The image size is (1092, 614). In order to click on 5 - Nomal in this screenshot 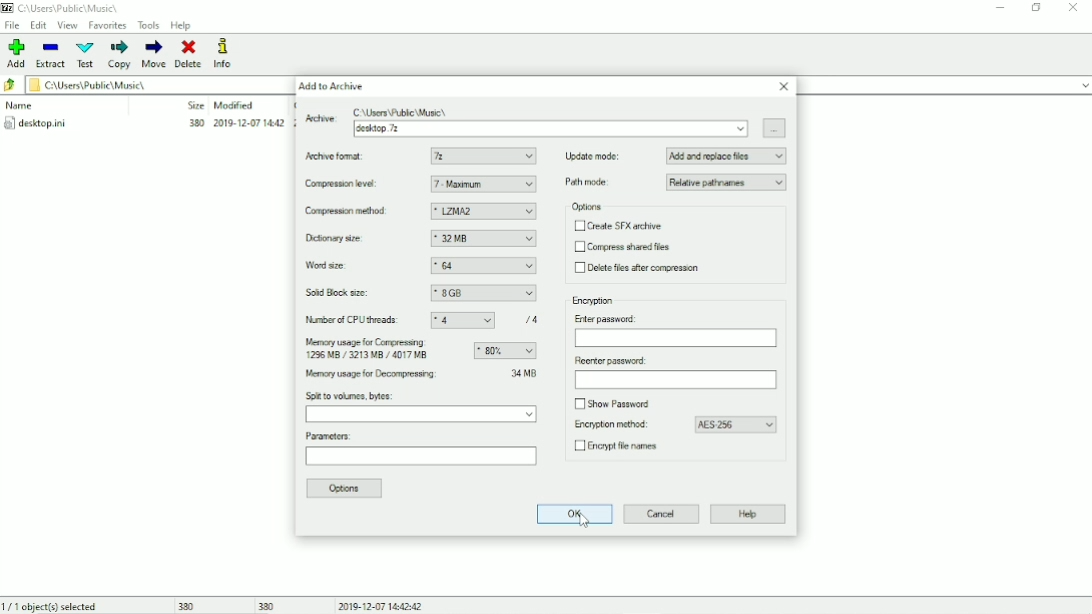, I will do `click(483, 184)`.